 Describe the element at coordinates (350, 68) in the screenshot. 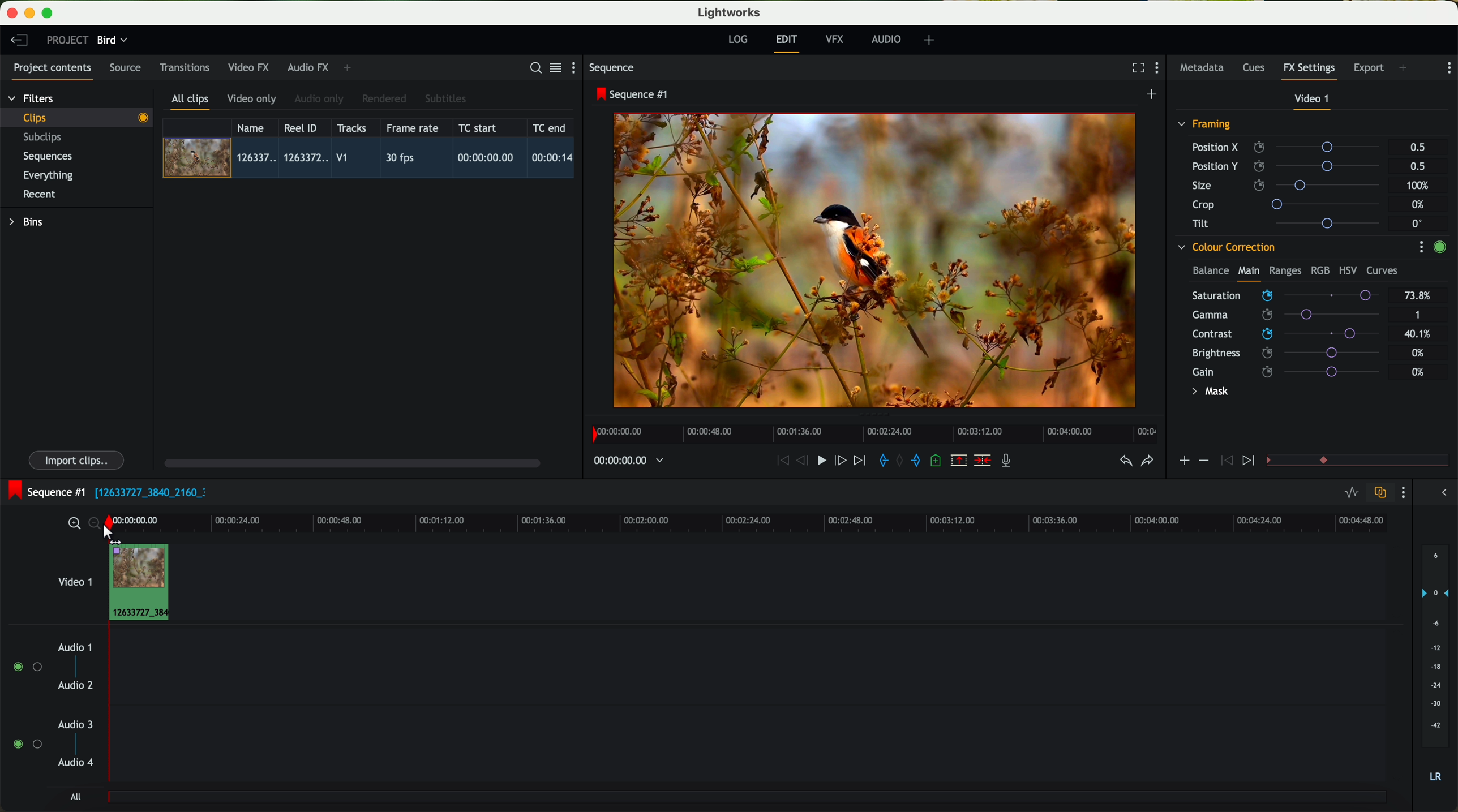

I see `add panel` at that location.